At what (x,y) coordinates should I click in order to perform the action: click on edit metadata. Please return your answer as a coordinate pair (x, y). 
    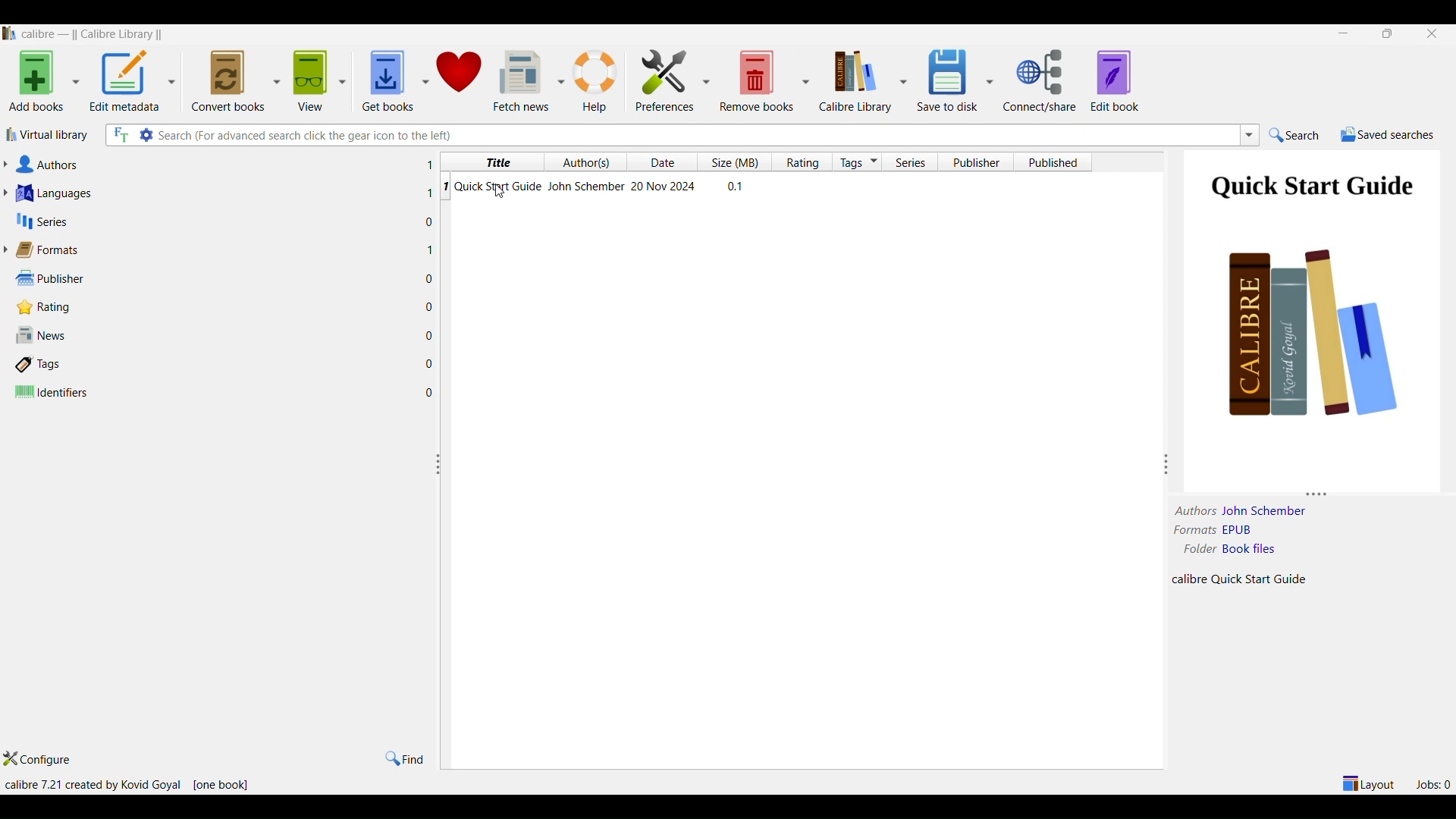
    Looking at the image, I should click on (126, 83).